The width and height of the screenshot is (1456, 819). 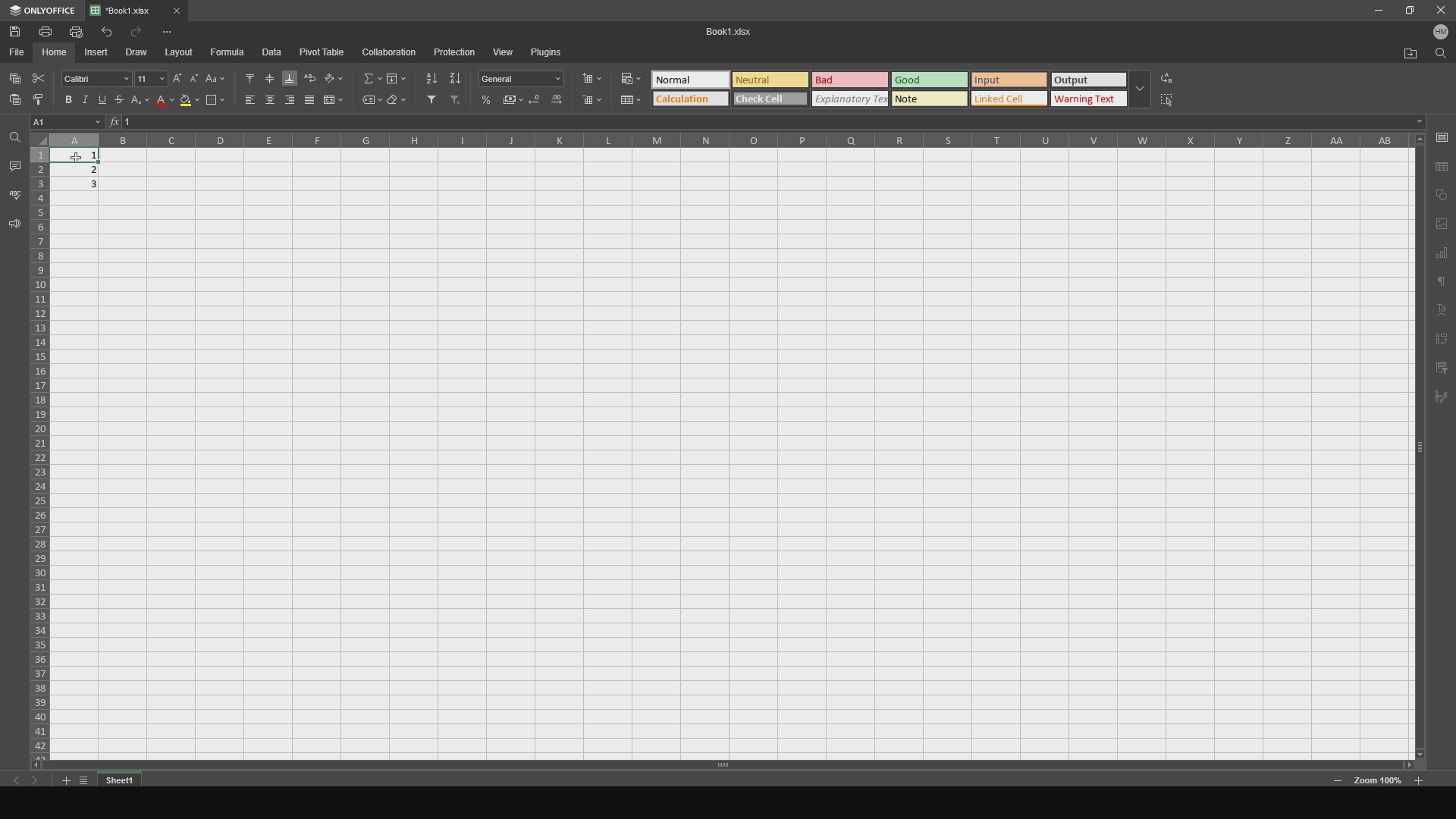 I want to click on font, so click(x=96, y=78).